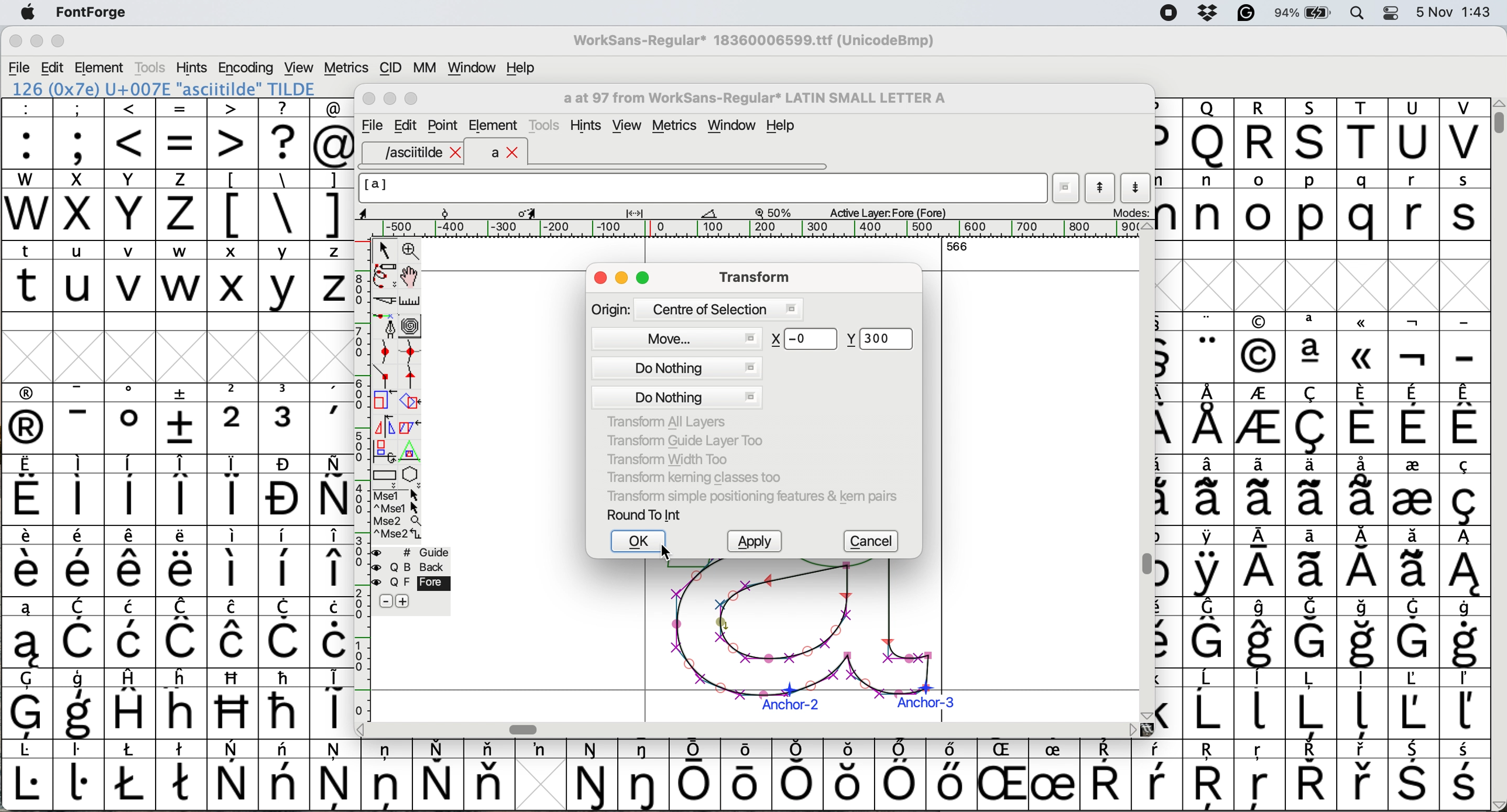  What do you see at coordinates (383, 450) in the screenshot?
I see `rotat object in 3d and project back to plane` at bounding box center [383, 450].